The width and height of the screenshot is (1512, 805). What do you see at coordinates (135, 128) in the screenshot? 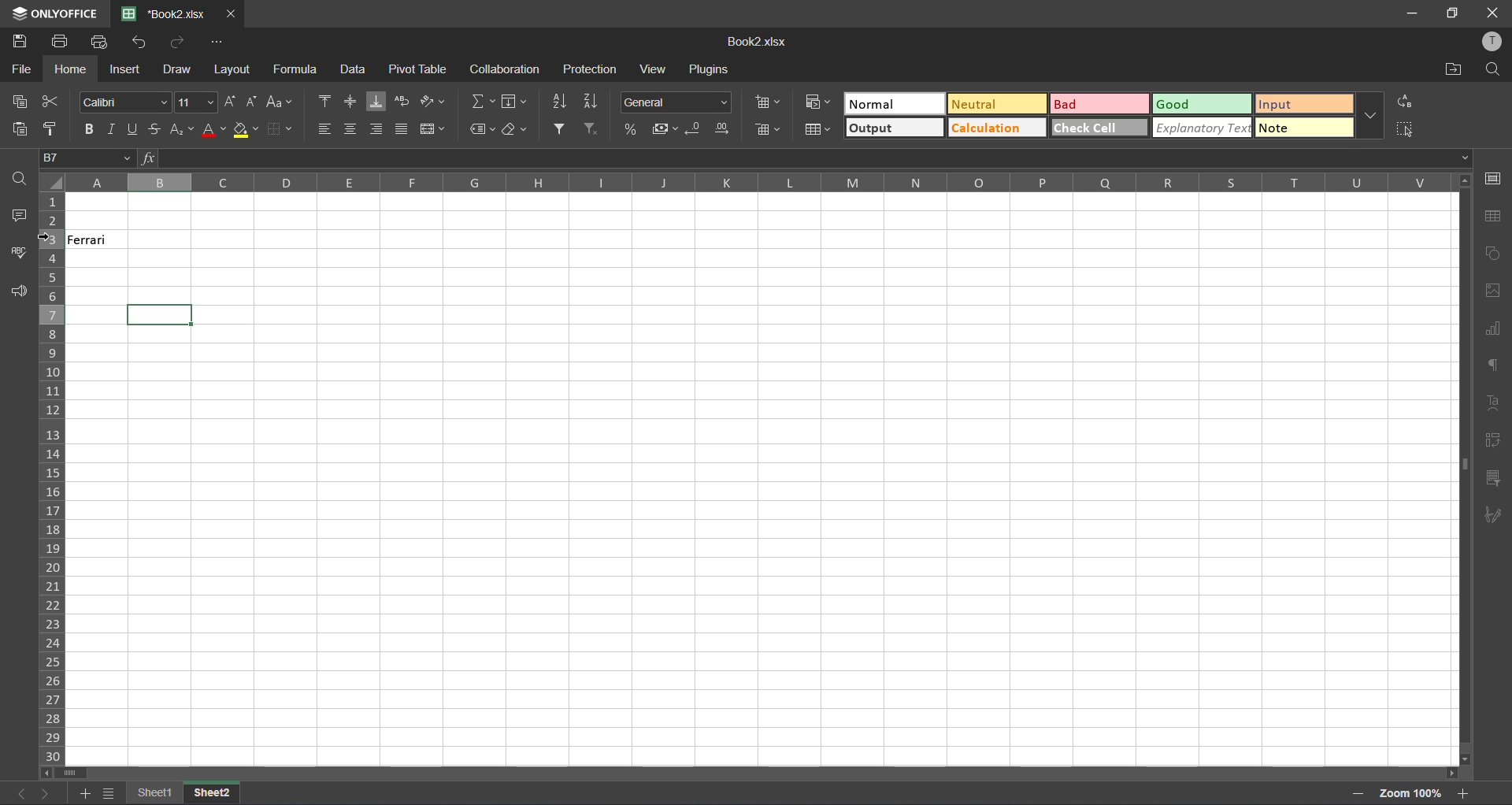
I see `underline` at bounding box center [135, 128].